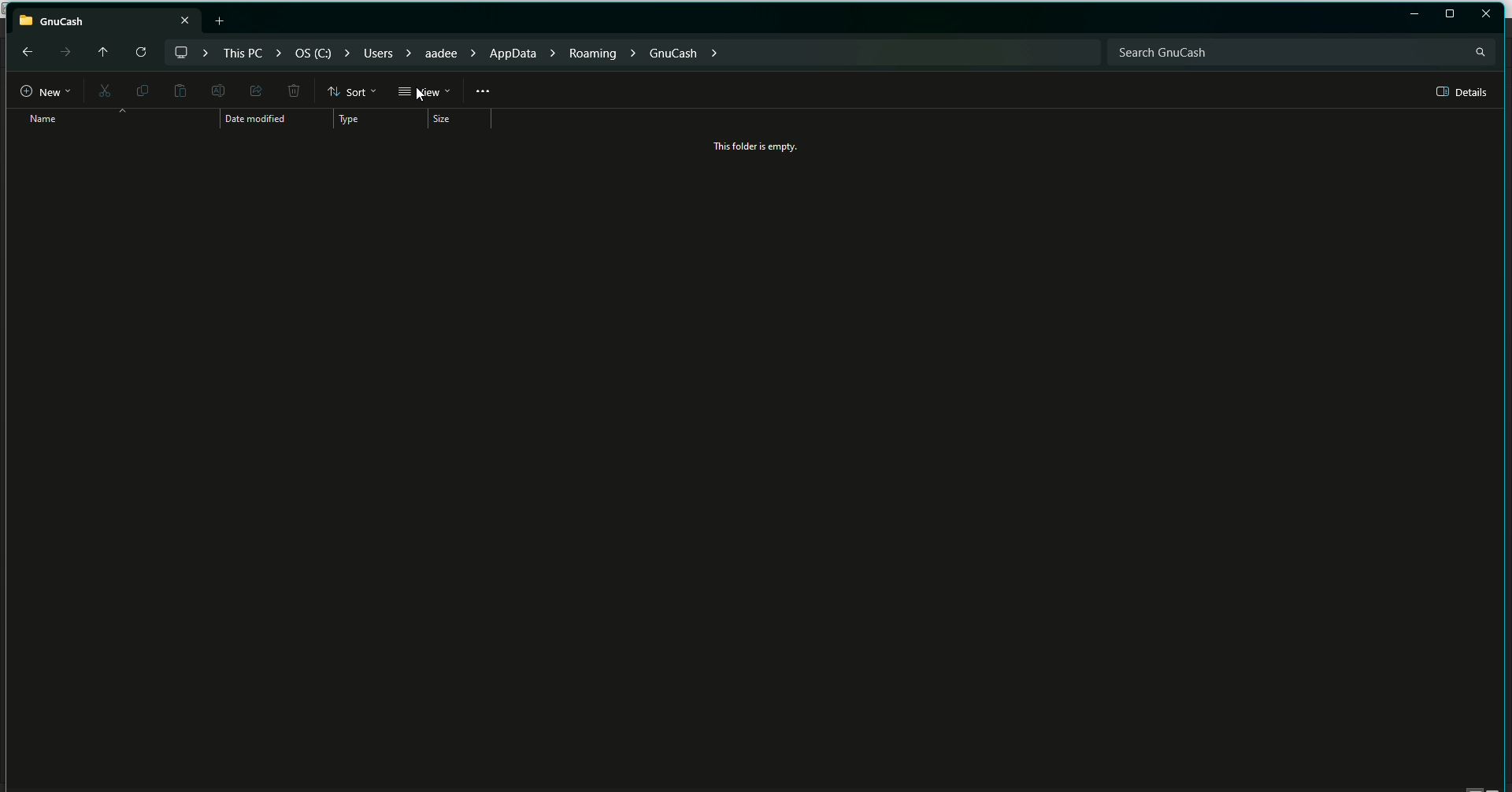 This screenshot has height=792, width=1512. I want to click on back, so click(25, 51).